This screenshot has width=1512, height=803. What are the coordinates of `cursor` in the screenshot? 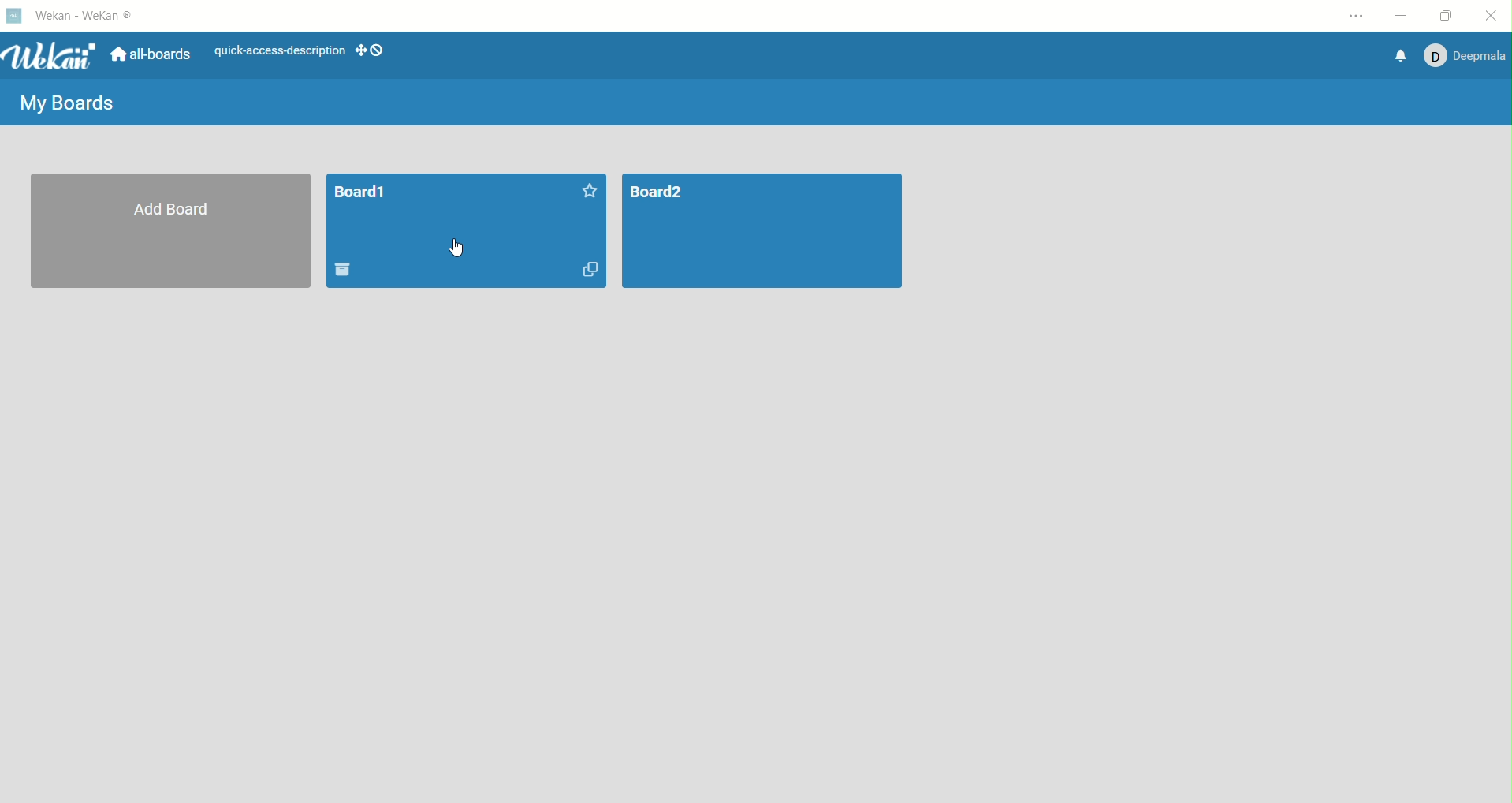 It's located at (446, 250).